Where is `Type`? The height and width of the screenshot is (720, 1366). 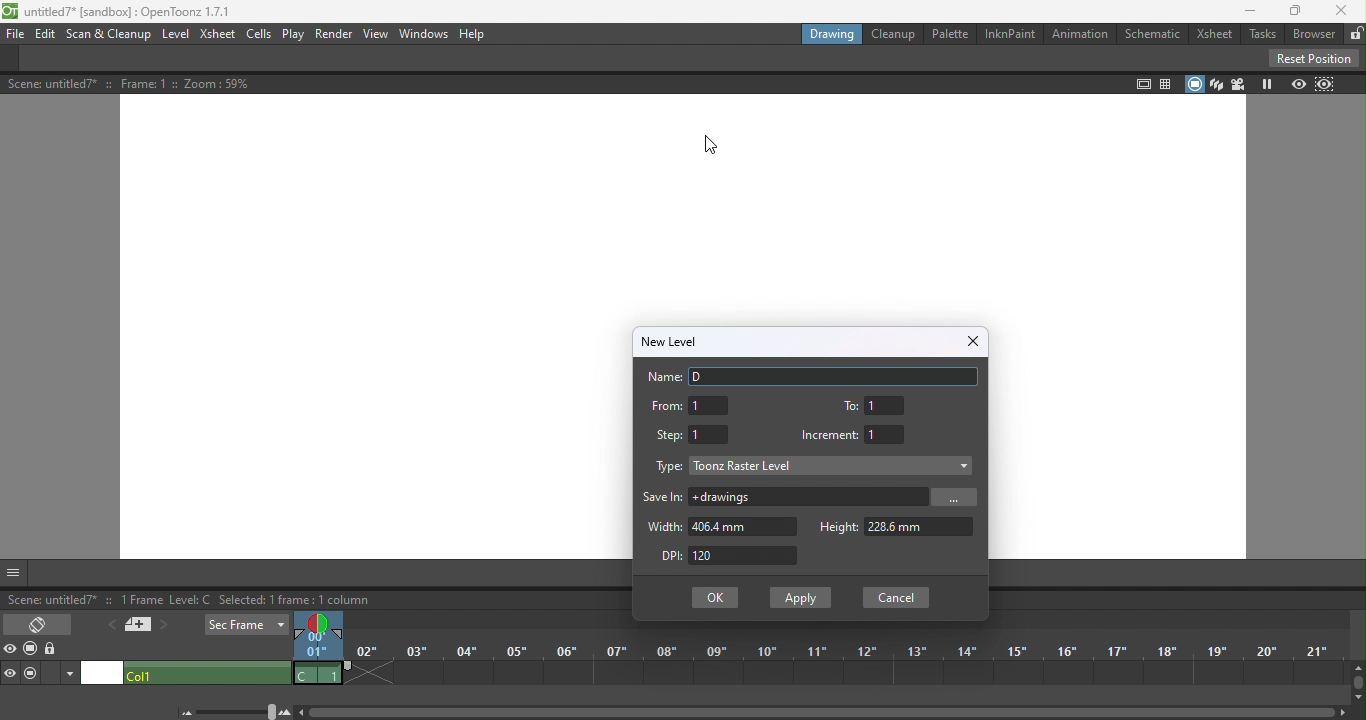 Type is located at coordinates (666, 469).